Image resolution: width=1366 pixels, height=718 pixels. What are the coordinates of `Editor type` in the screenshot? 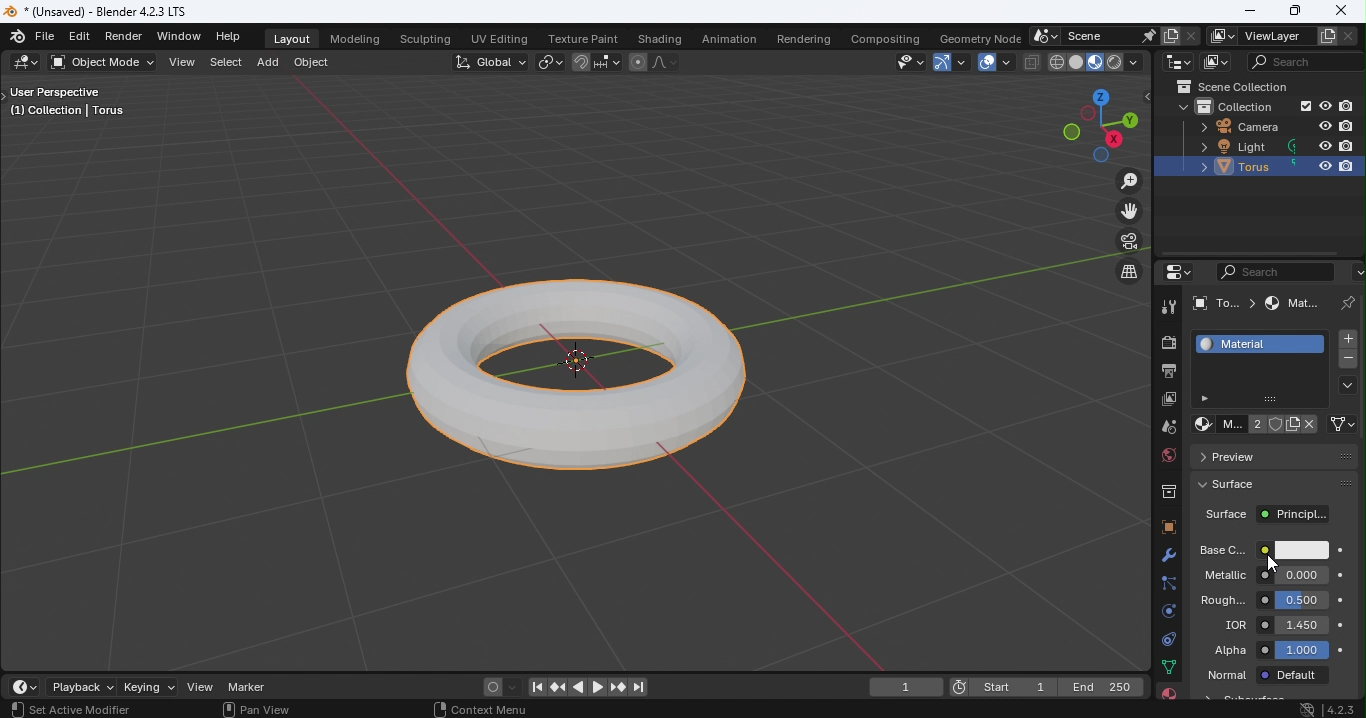 It's located at (1178, 62).